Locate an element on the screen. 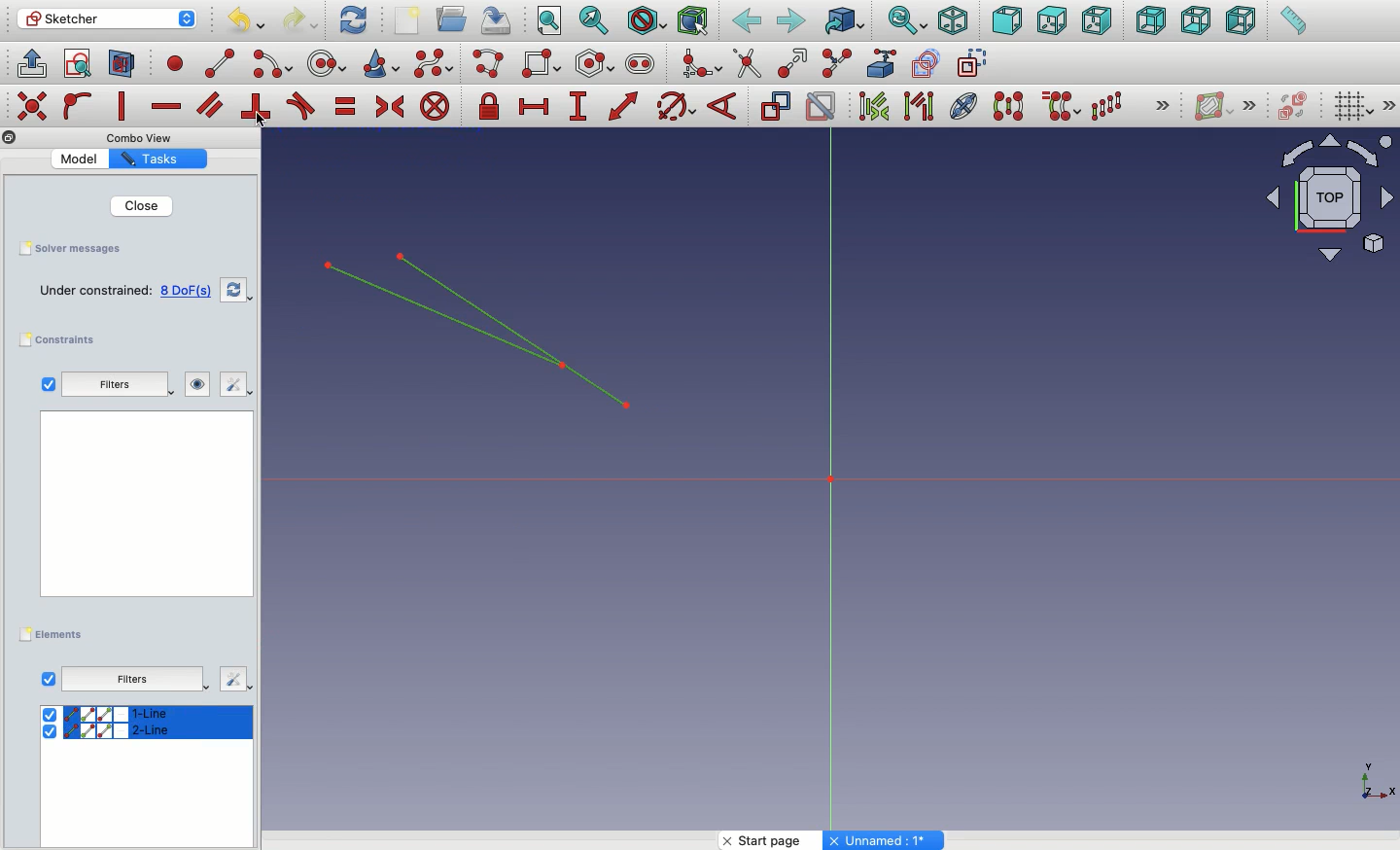 This screenshot has height=850, width=1400. Rectangle is located at coordinates (543, 64).